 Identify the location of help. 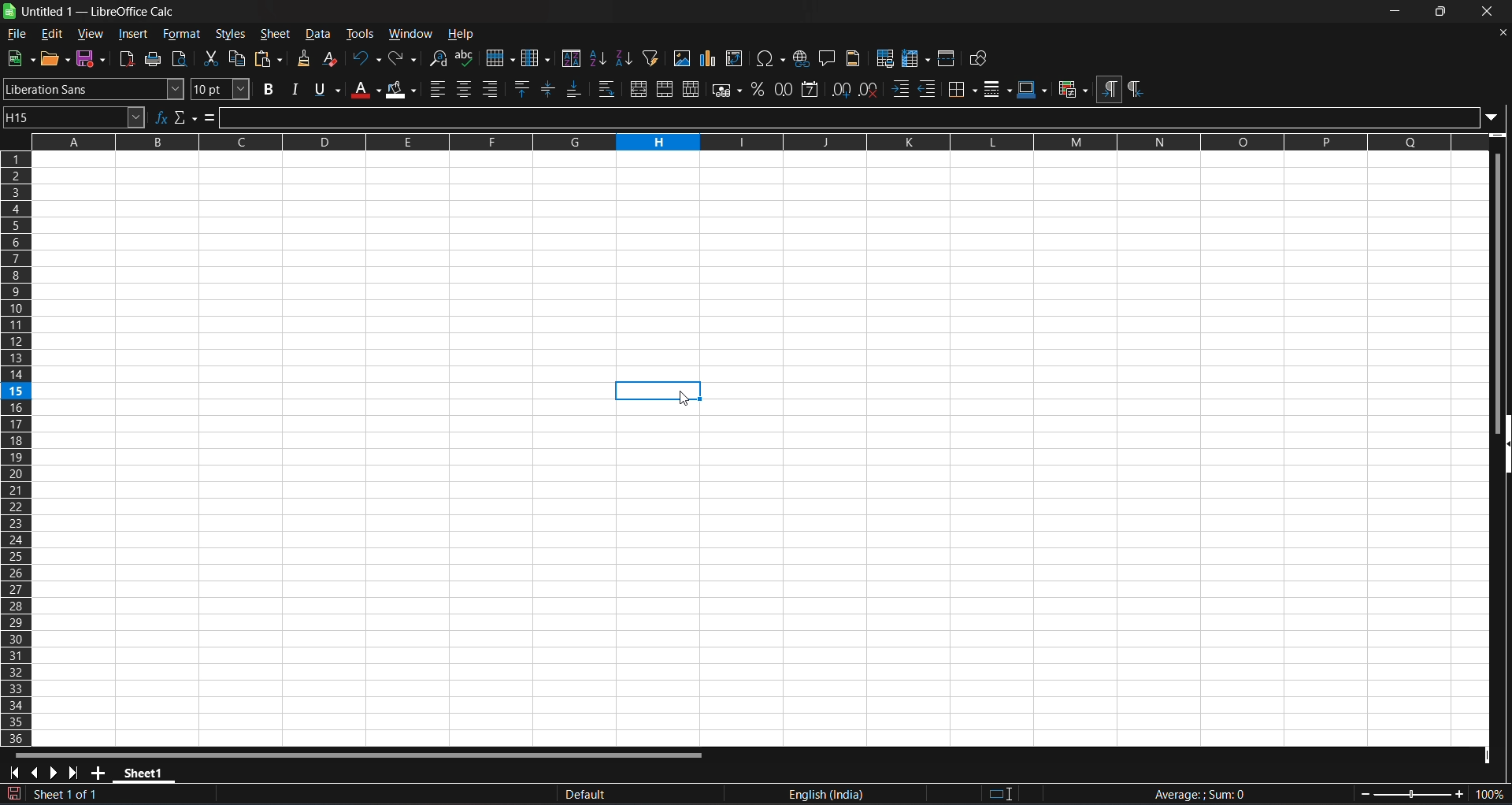
(462, 35).